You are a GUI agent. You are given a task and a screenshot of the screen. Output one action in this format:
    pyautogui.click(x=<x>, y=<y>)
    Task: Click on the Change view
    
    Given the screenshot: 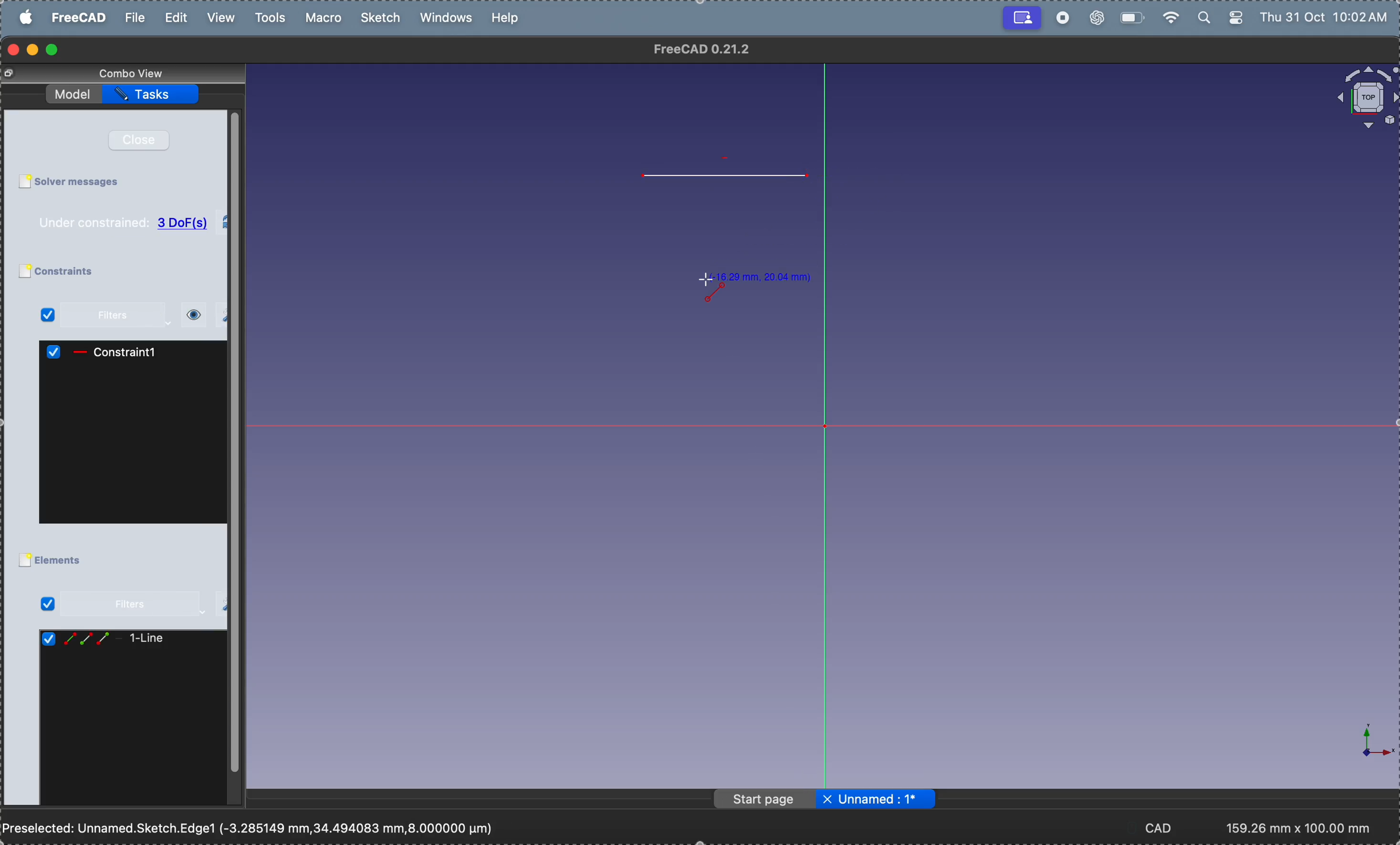 What is the action you would take?
    pyautogui.click(x=12, y=74)
    